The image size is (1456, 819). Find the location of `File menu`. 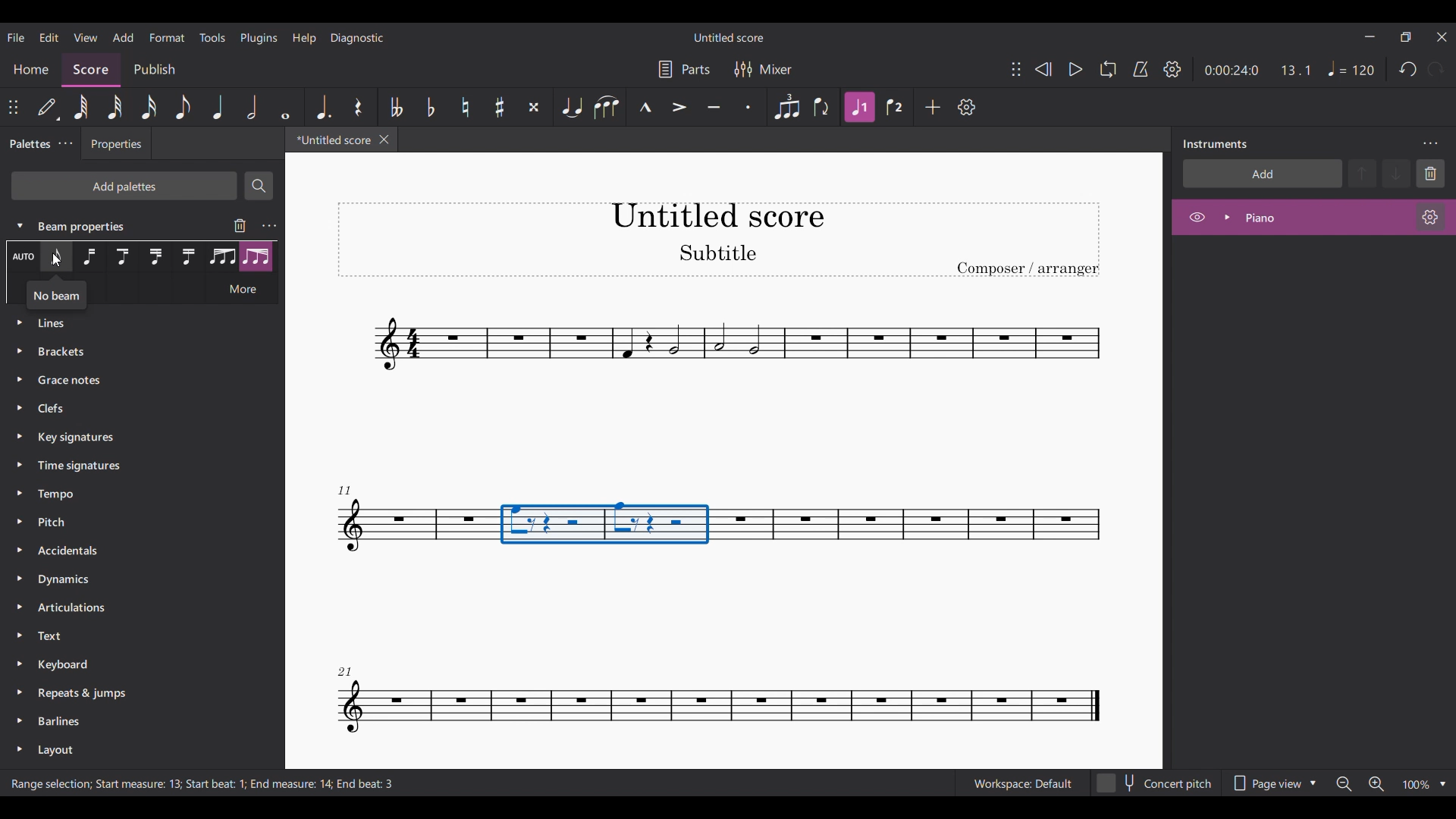

File menu is located at coordinates (15, 37).